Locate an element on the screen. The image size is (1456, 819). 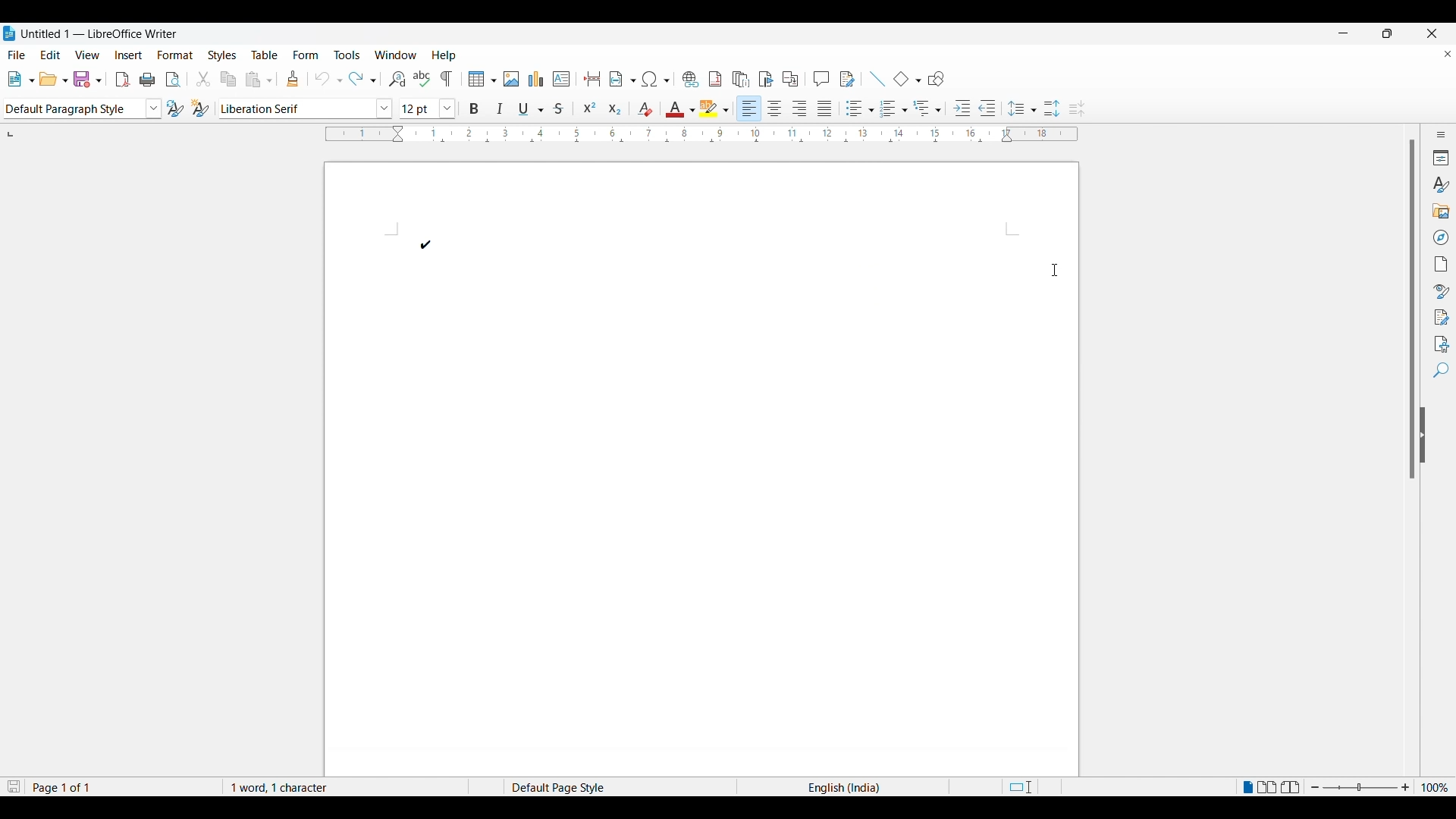
Form is located at coordinates (306, 54).